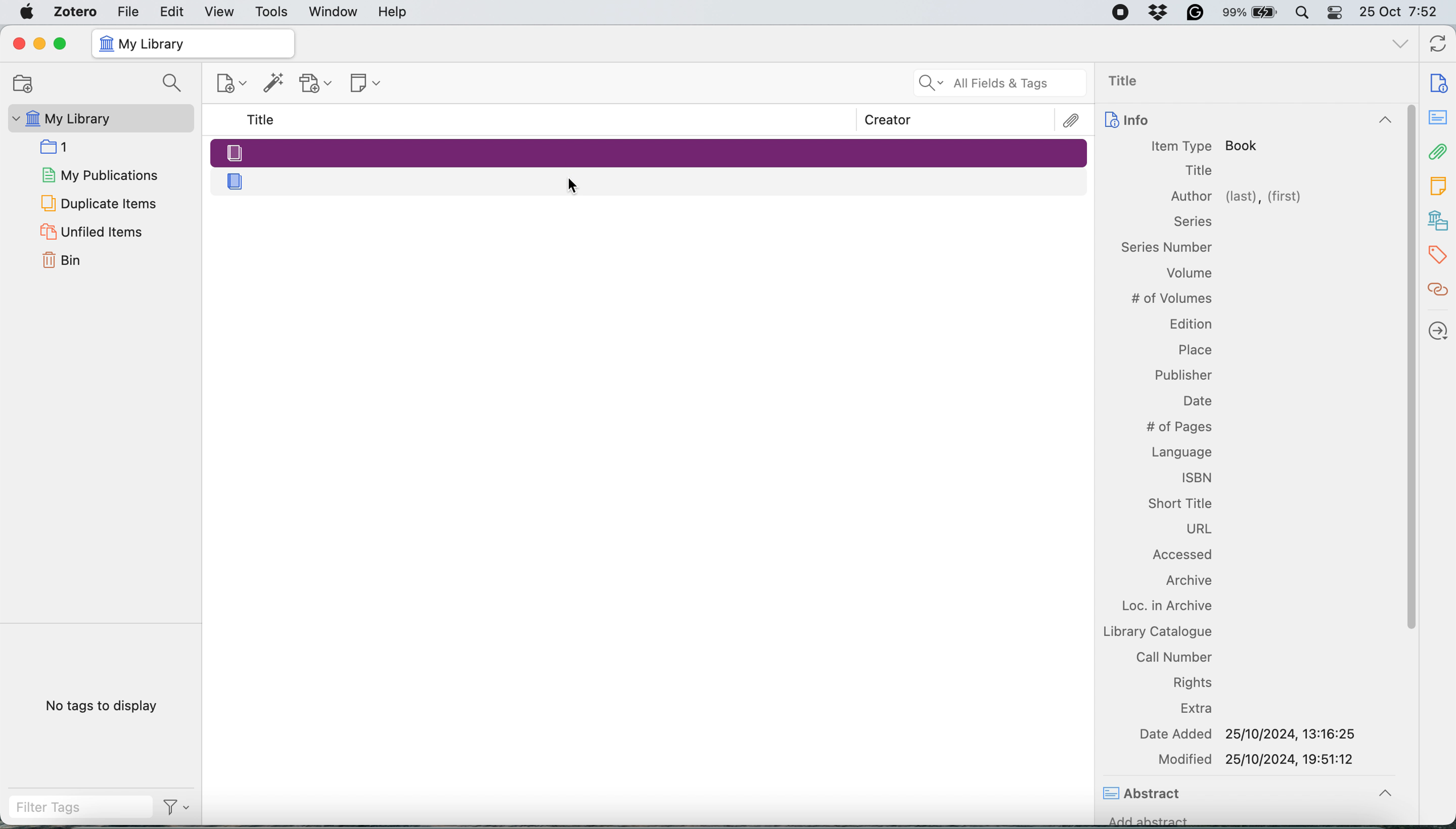 The image size is (1456, 829). I want to click on # of Volumes, so click(1171, 298).